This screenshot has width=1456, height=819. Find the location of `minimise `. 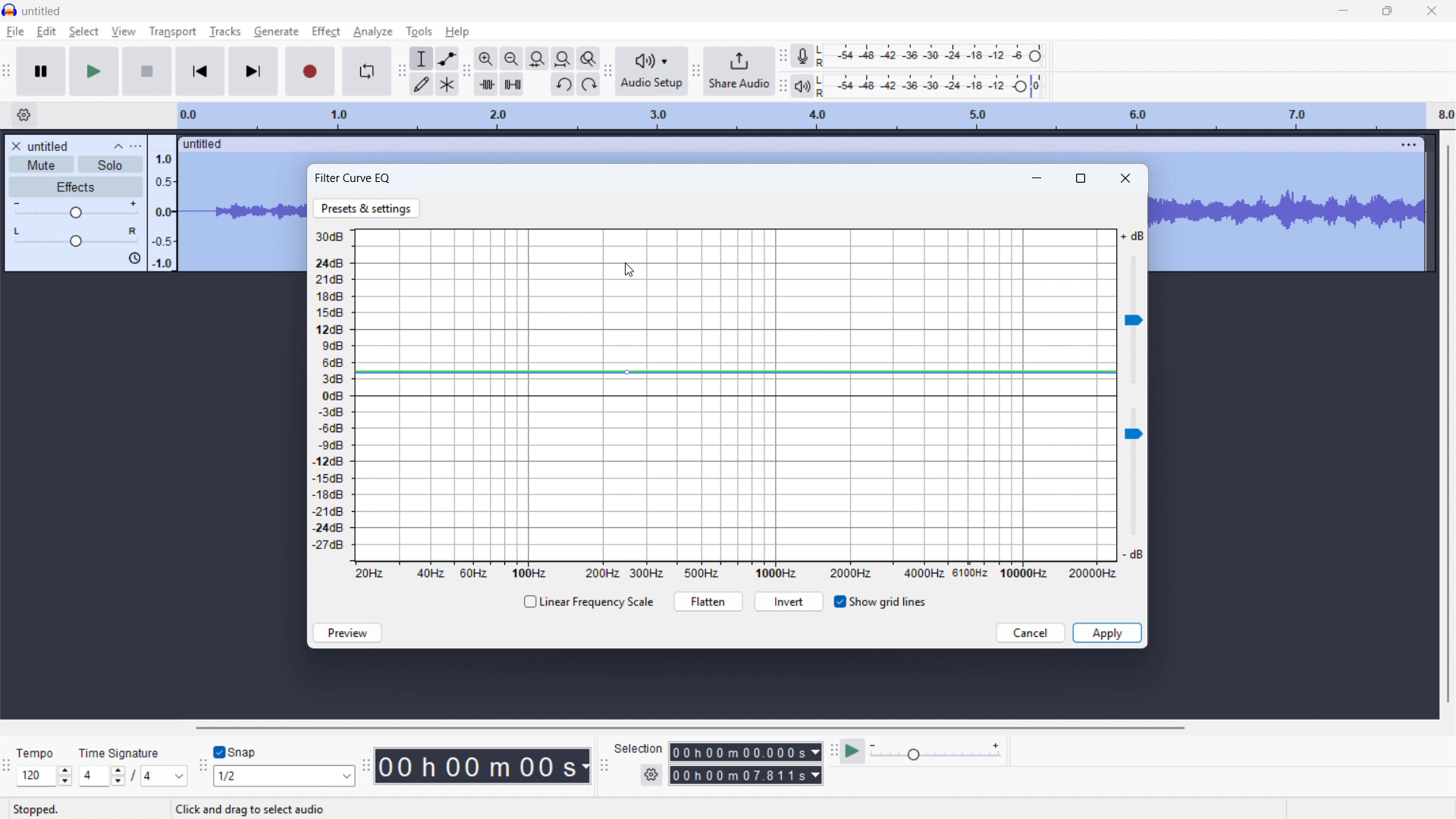

minimise  is located at coordinates (1341, 11).